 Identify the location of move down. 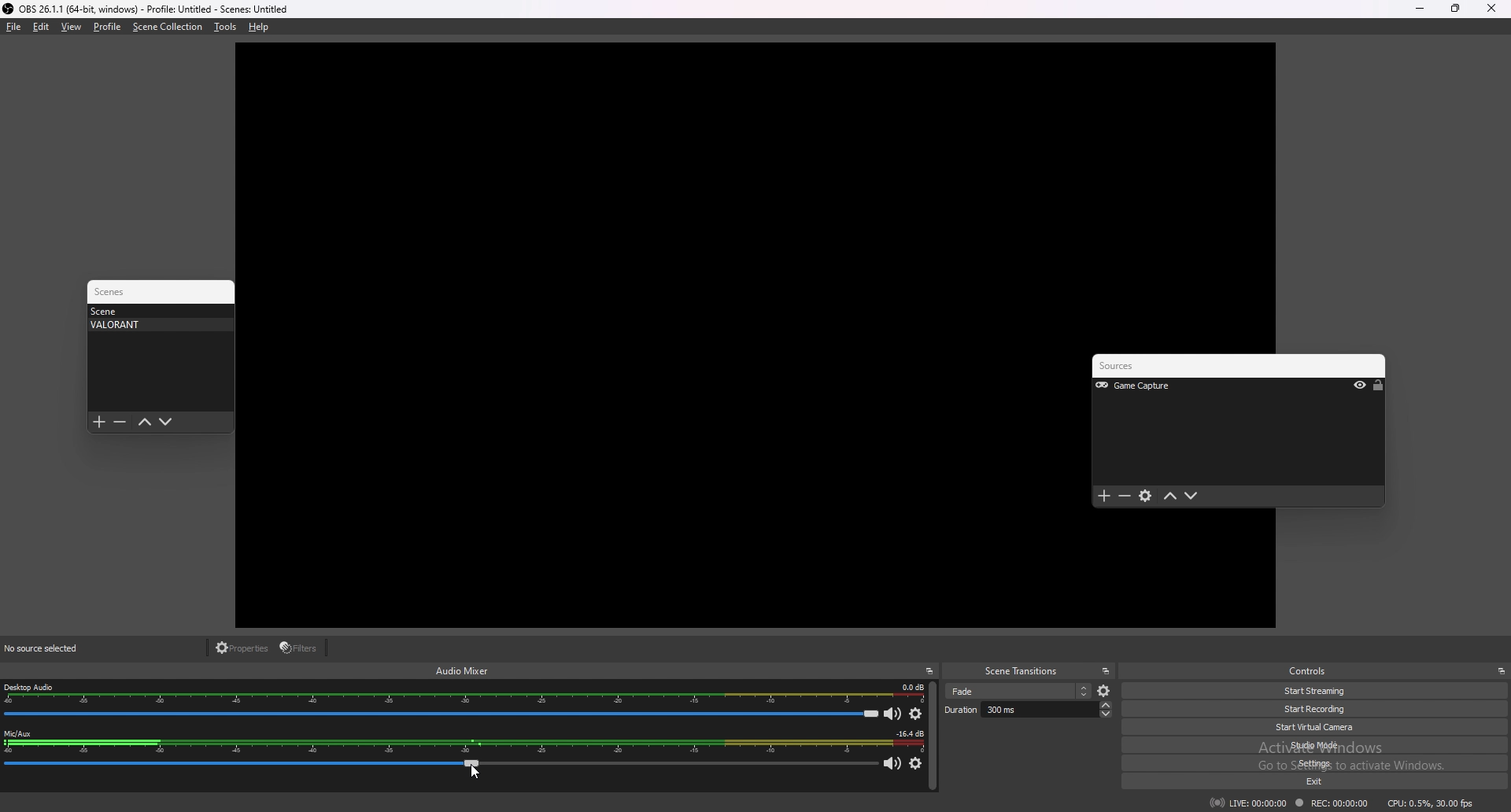
(166, 423).